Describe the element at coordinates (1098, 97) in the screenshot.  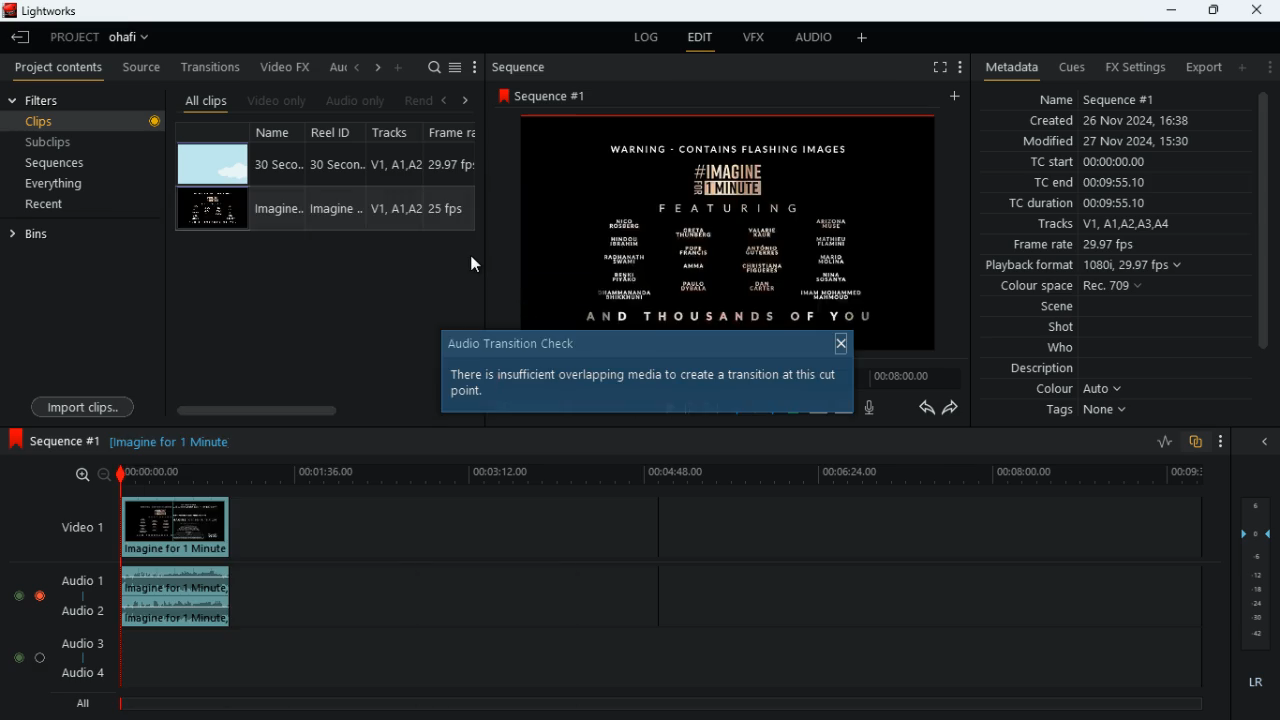
I see `name` at that location.